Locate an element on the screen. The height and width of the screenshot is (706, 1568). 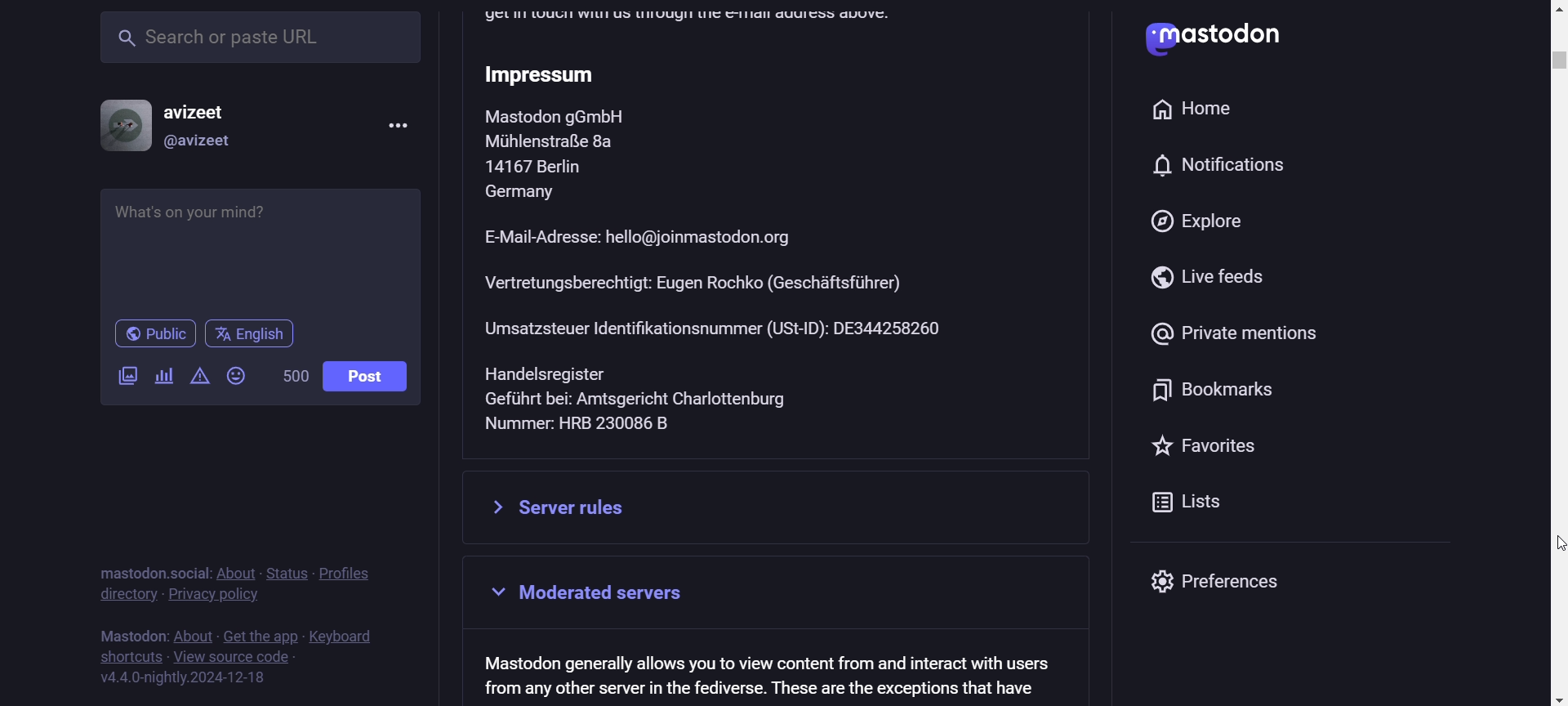
username is located at coordinates (204, 107).